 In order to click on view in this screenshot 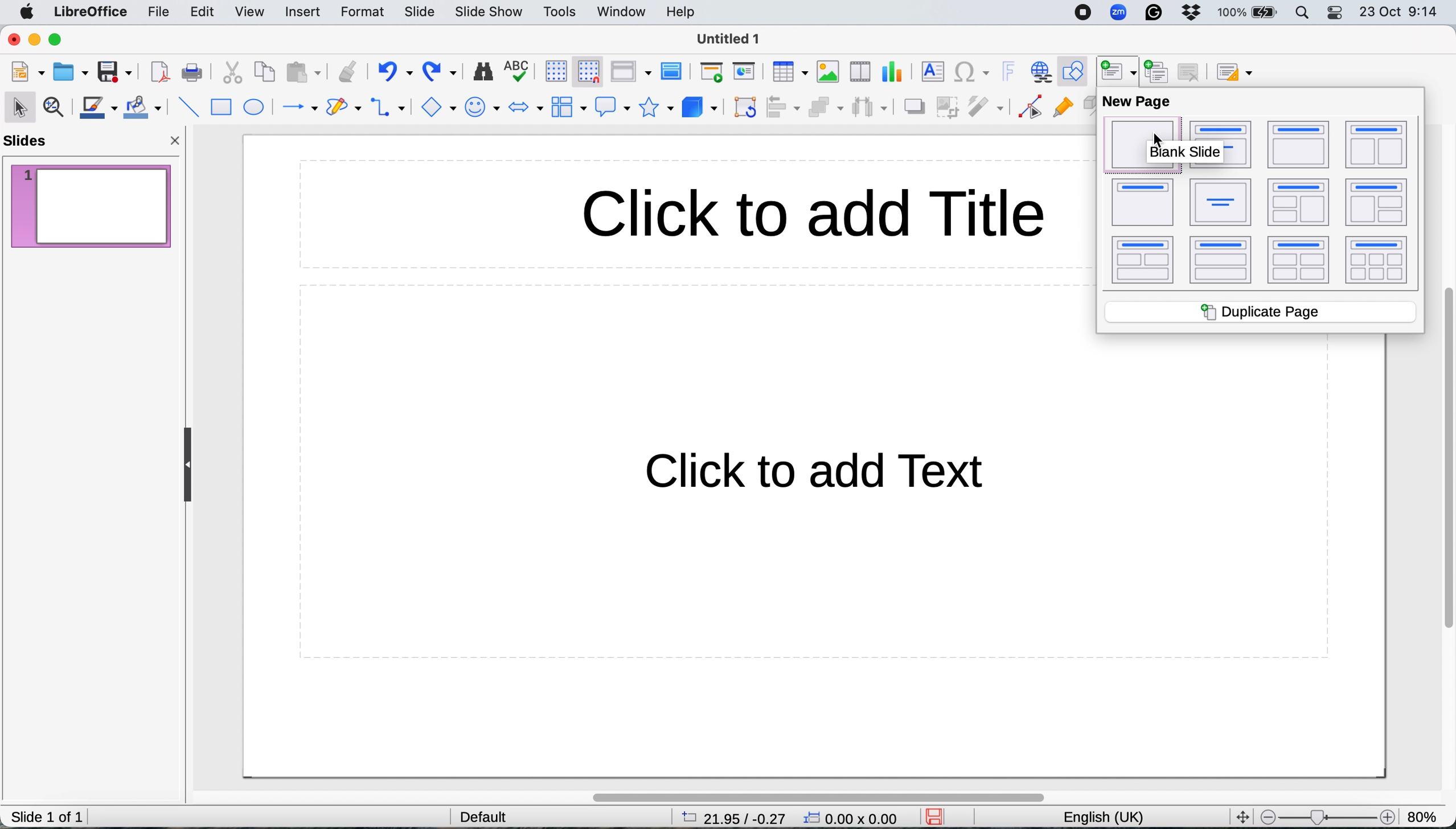, I will do `click(252, 13)`.